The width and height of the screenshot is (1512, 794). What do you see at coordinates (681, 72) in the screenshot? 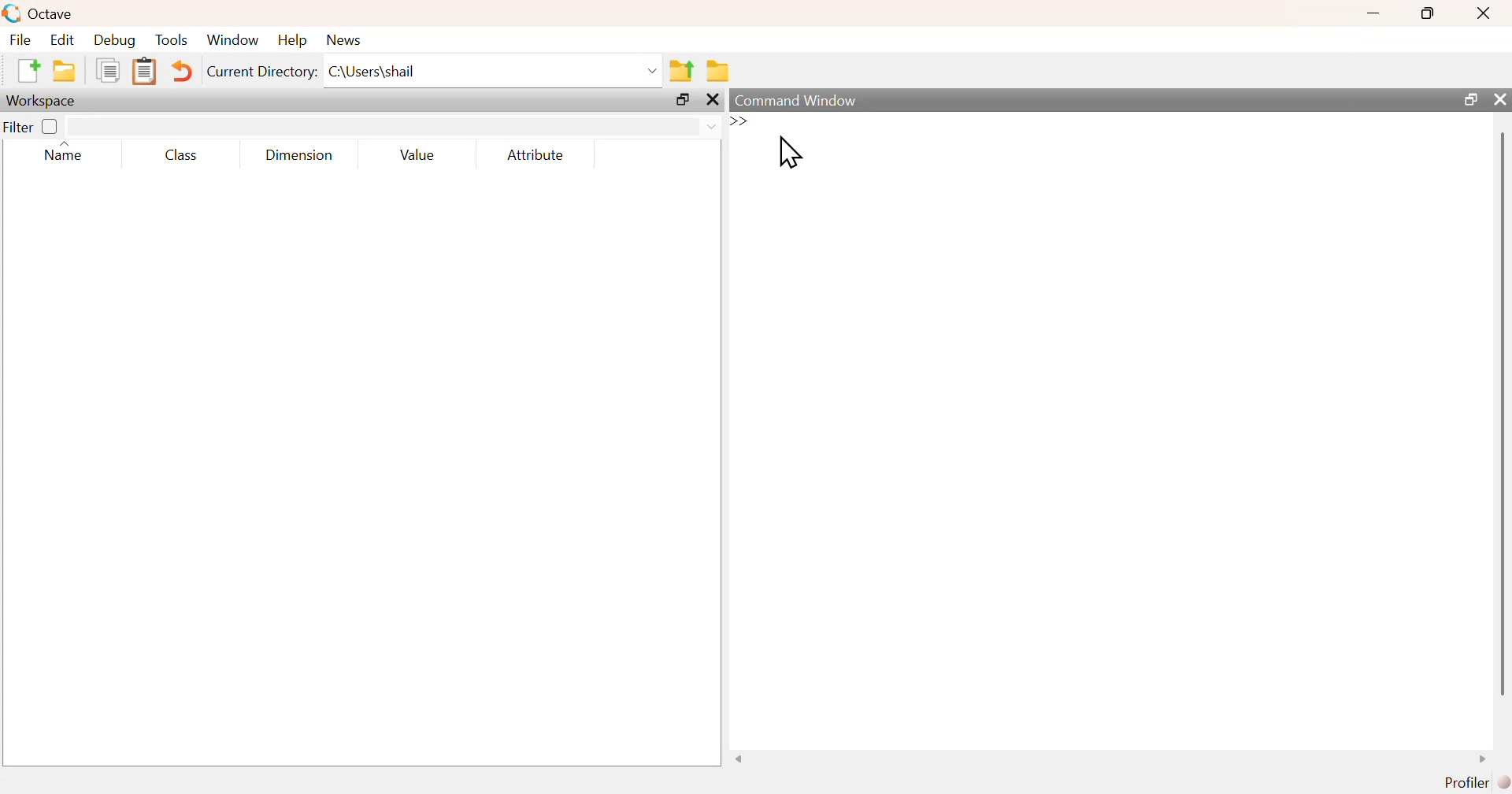
I see `Previous Folder` at bounding box center [681, 72].